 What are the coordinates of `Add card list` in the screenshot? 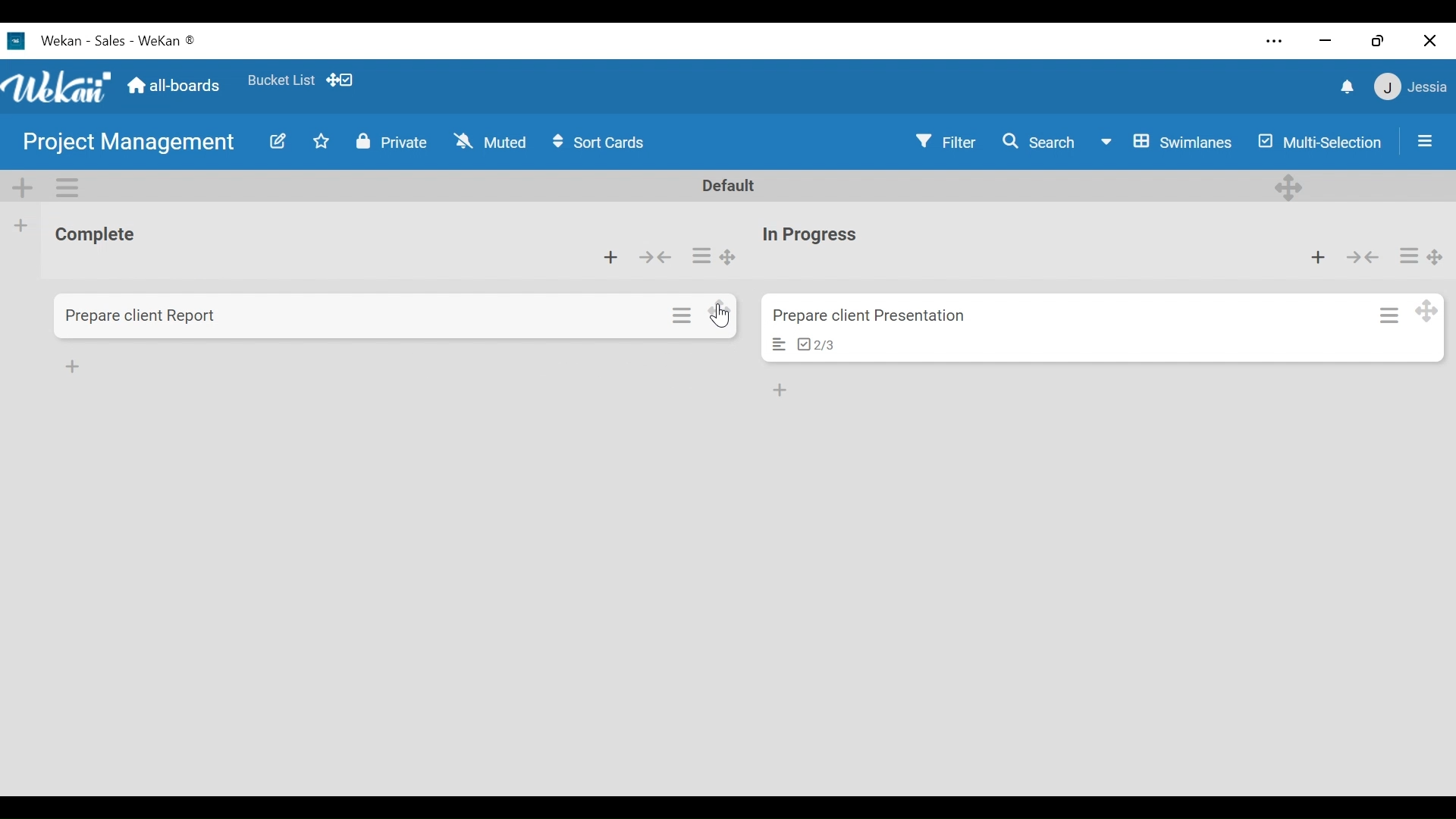 It's located at (74, 367).